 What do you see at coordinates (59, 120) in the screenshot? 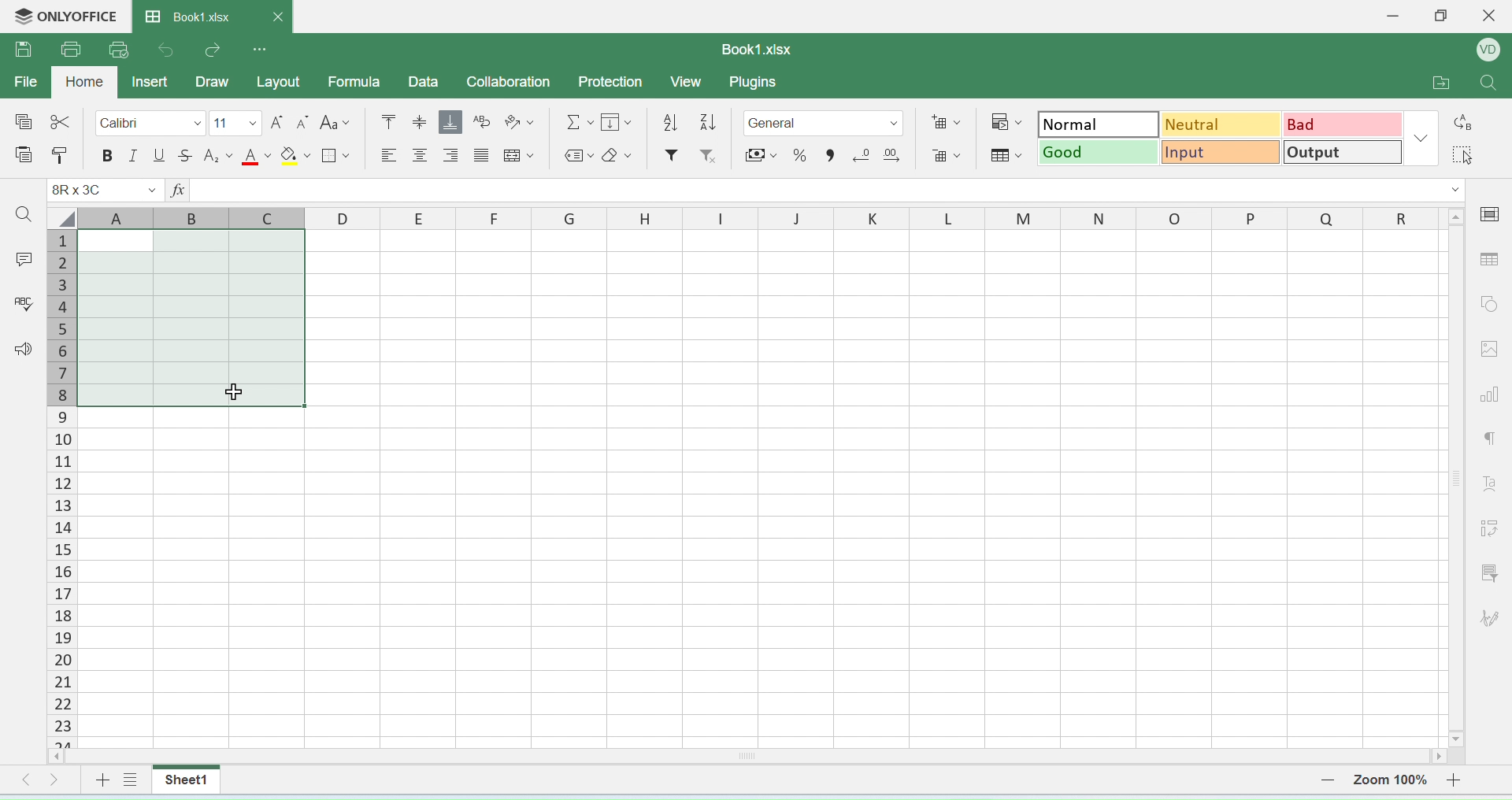
I see `cut` at bounding box center [59, 120].